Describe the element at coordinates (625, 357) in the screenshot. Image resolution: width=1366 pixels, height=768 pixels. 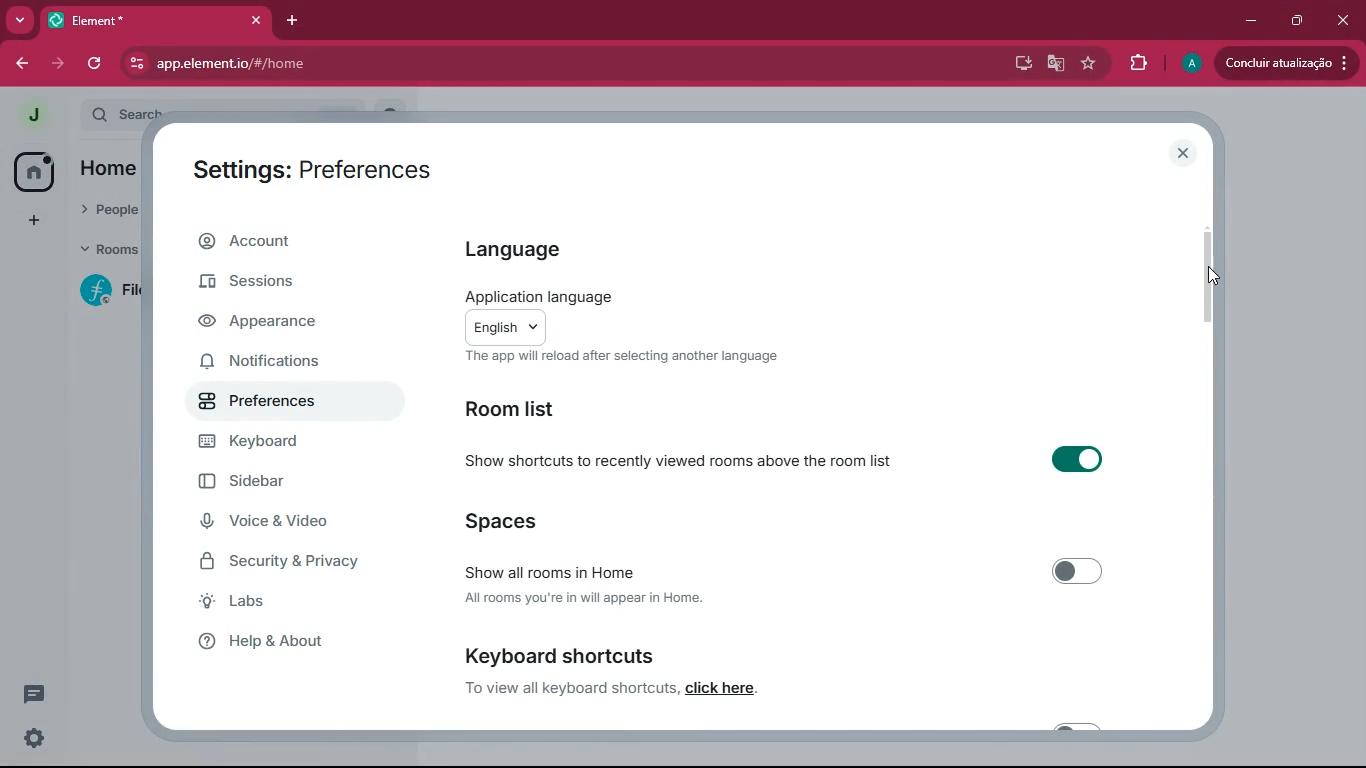
I see `The app will reload after selecting another language` at that location.